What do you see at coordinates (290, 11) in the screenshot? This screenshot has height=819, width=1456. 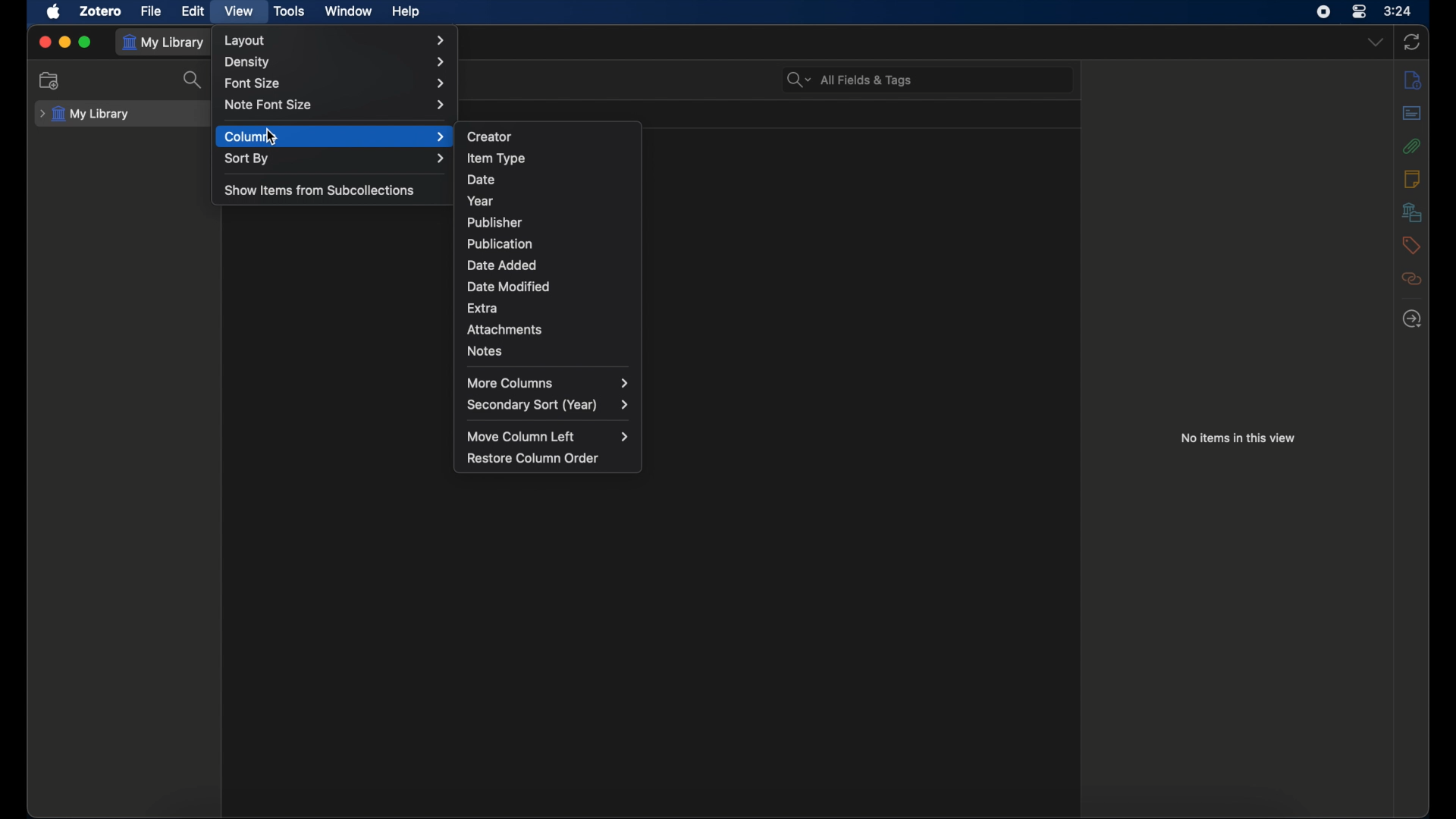 I see `tools` at bounding box center [290, 11].